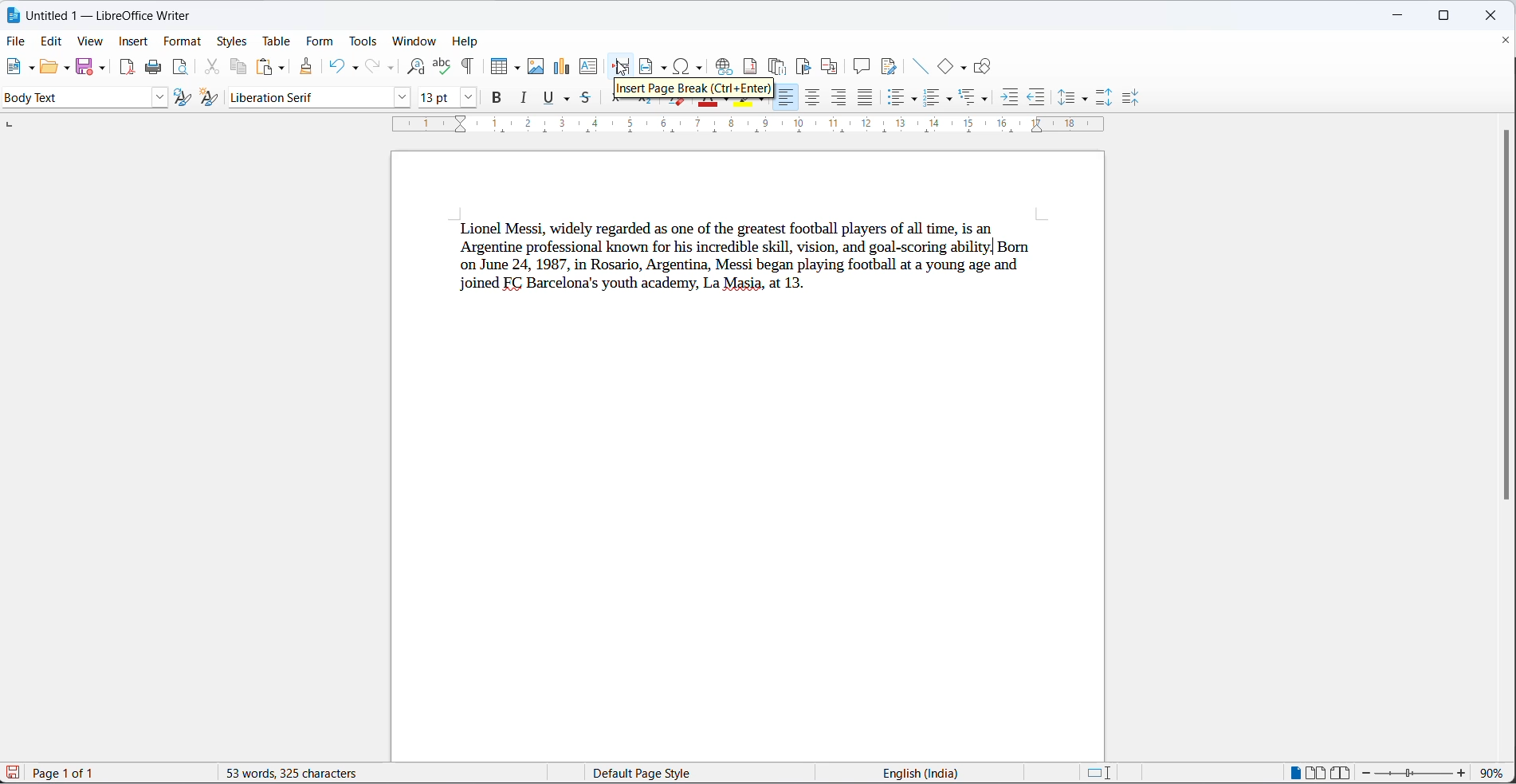 Image resolution: width=1516 pixels, height=784 pixels. I want to click on format, so click(183, 41).